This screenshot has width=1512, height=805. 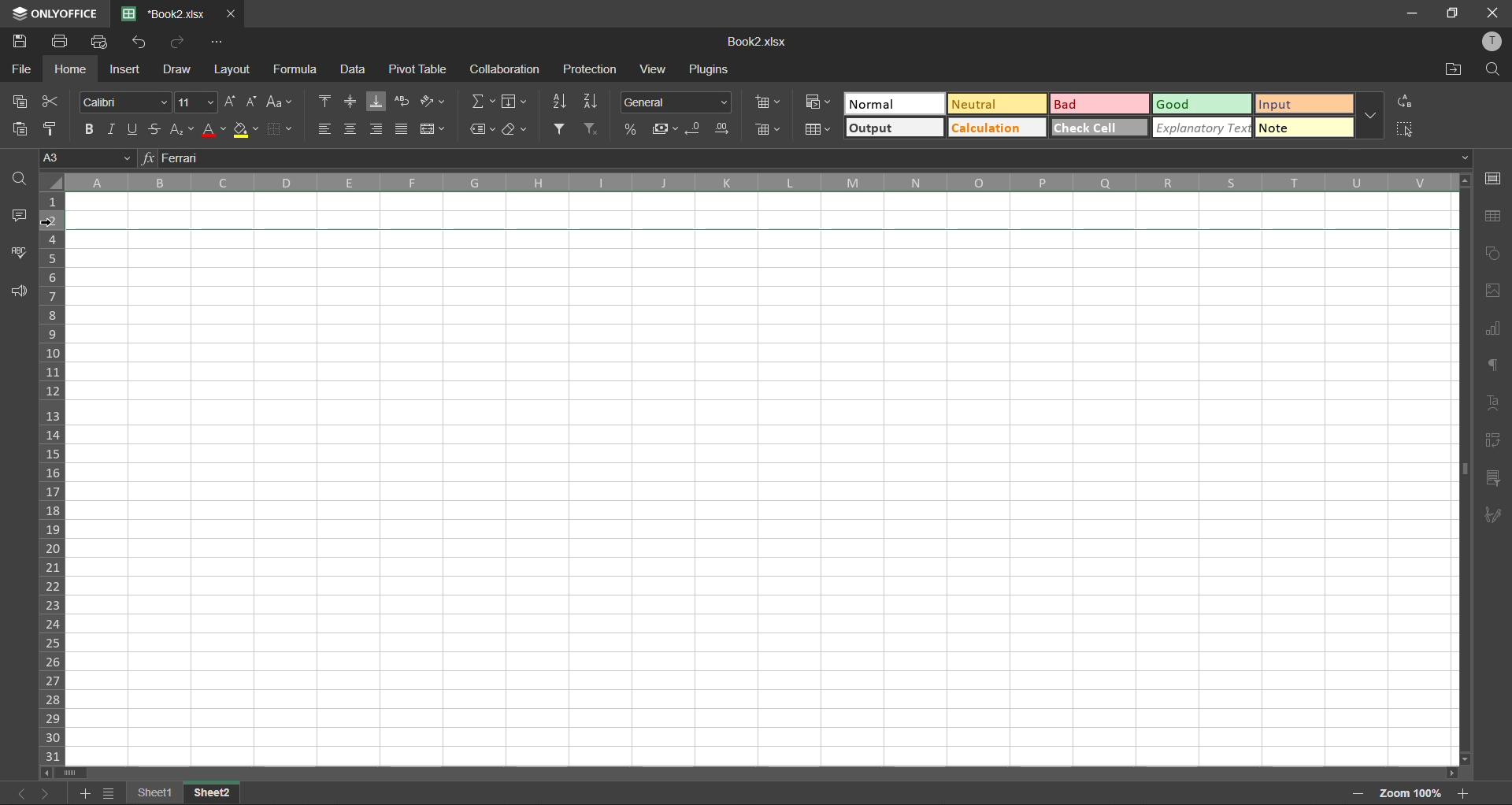 I want to click on bad, so click(x=1099, y=102).